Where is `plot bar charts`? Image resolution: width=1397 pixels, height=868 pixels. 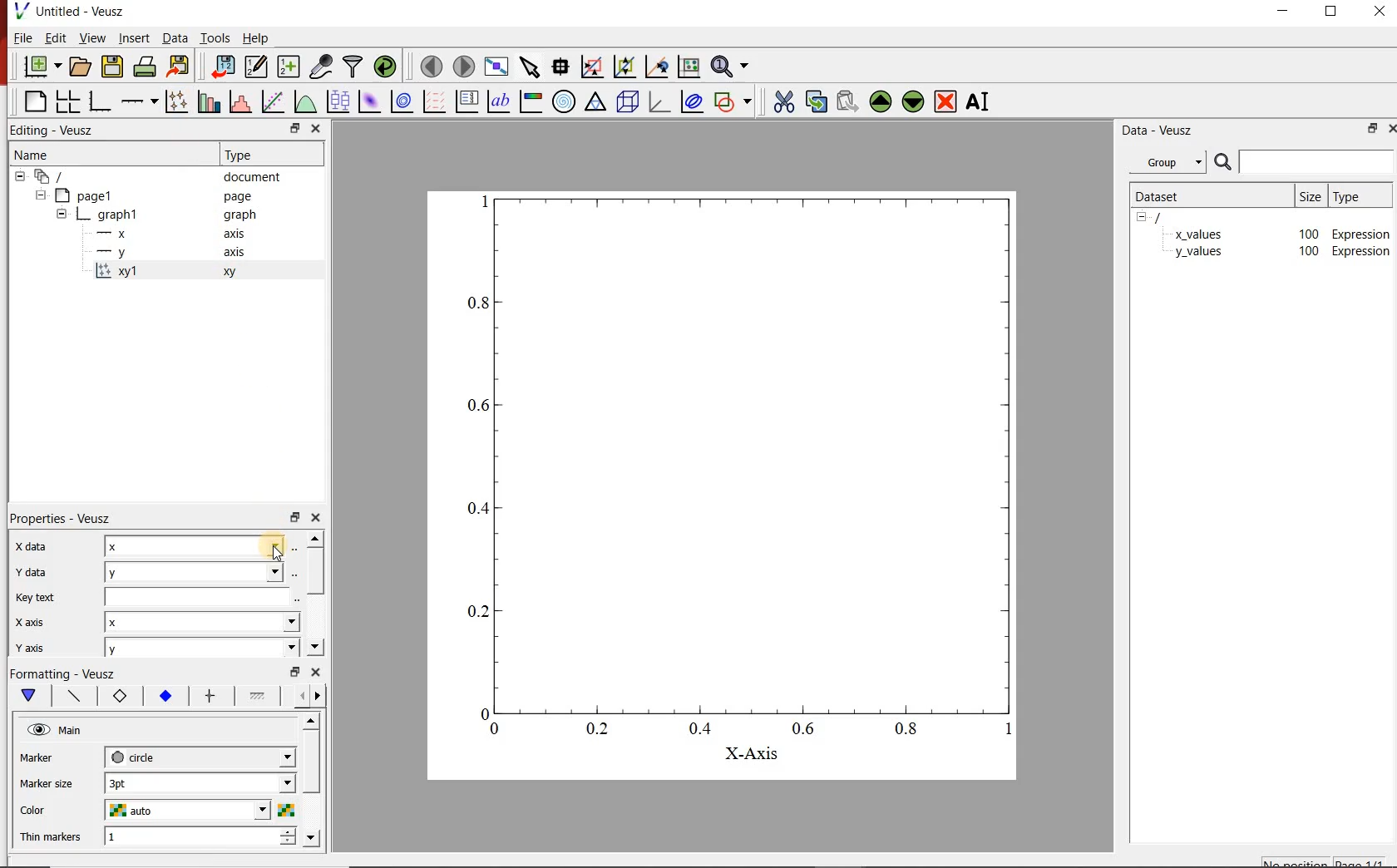 plot bar charts is located at coordinates (209, 101).